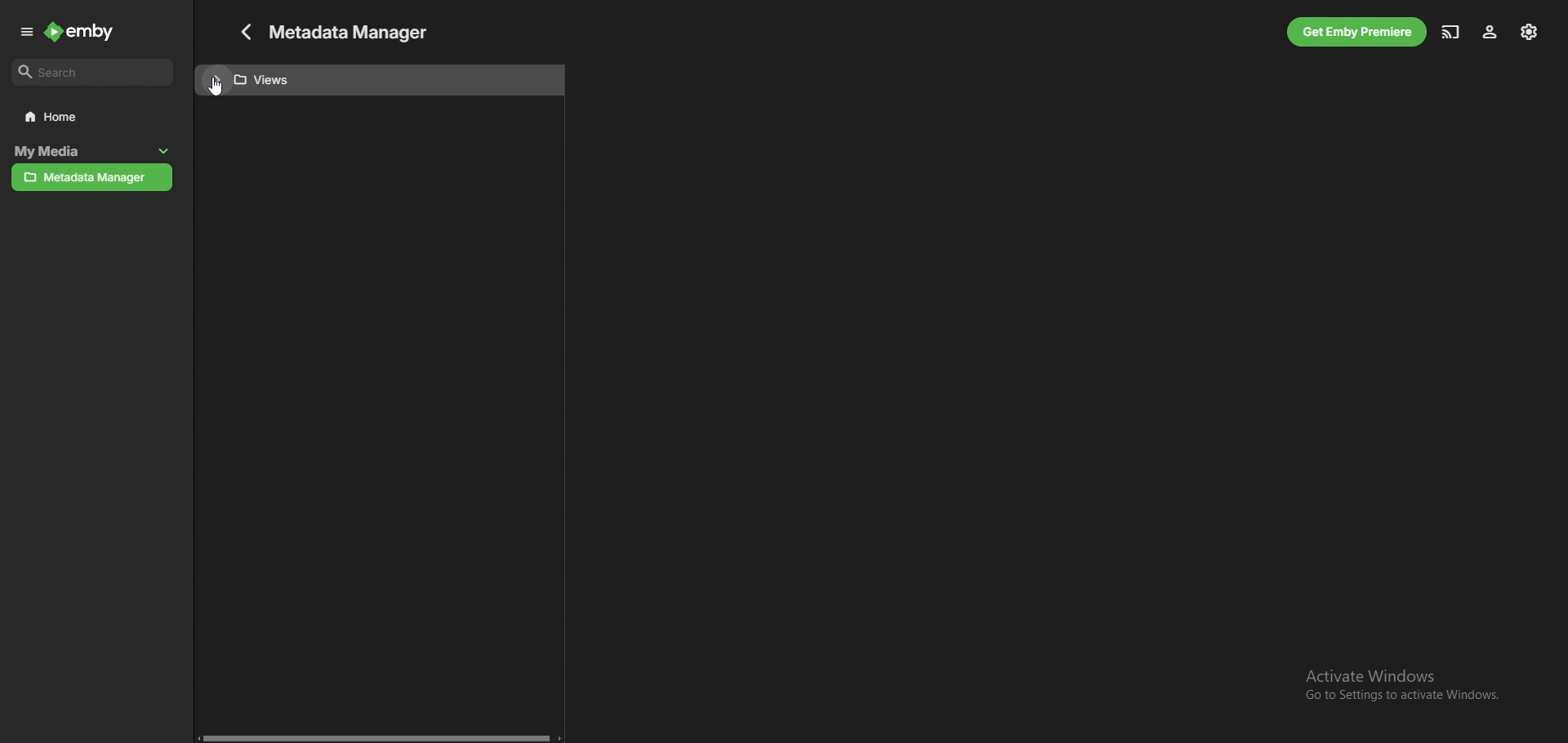 Image resolution: width=1568 pixels, height=743 pixels. What do you see at coordinates (378, 80) in the screenshot?
I see `views` at bounding box center [378, 80].